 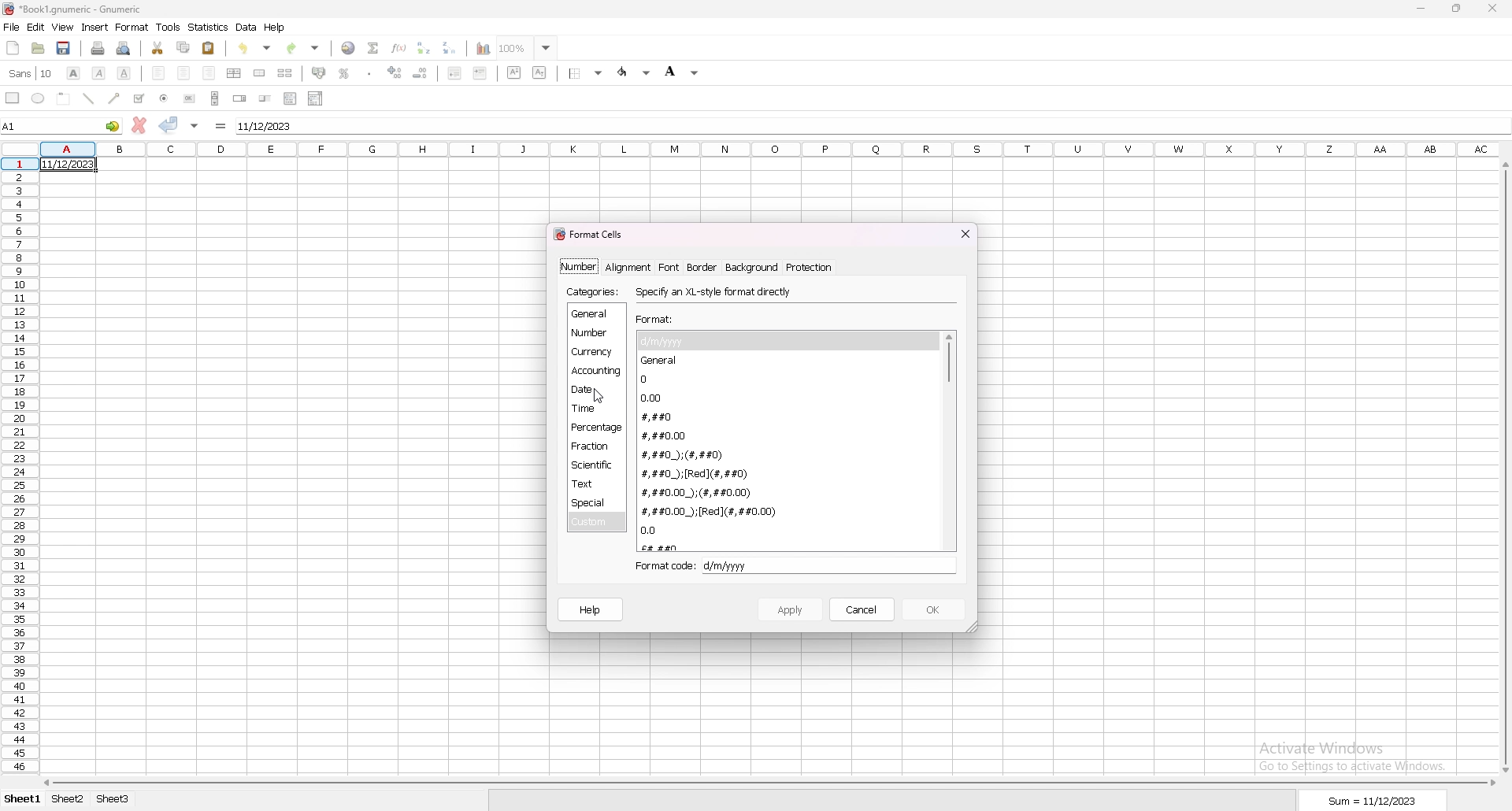 What do you see at coordinates (871, 124) in the screenshot?
I see `selected cell input` at bounding box center [871, 124].